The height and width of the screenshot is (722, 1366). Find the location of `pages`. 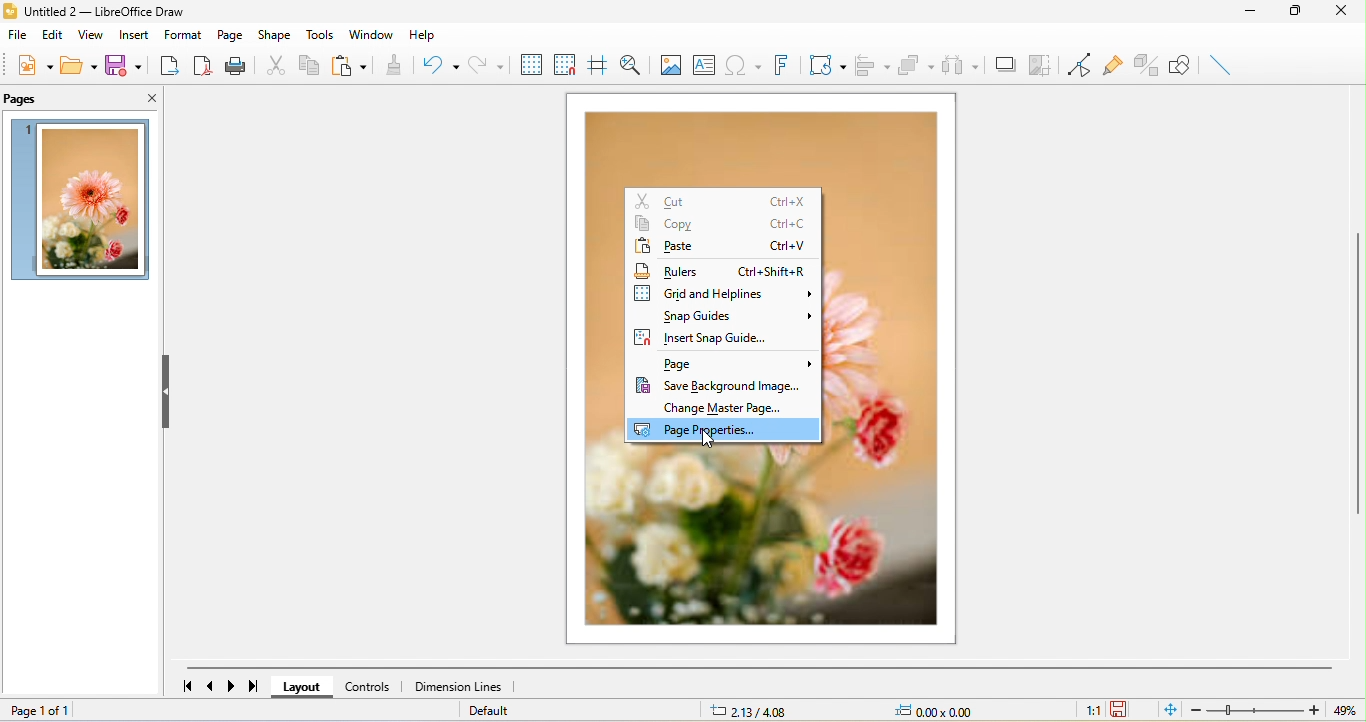

pages is located at coordinates (25, 100).